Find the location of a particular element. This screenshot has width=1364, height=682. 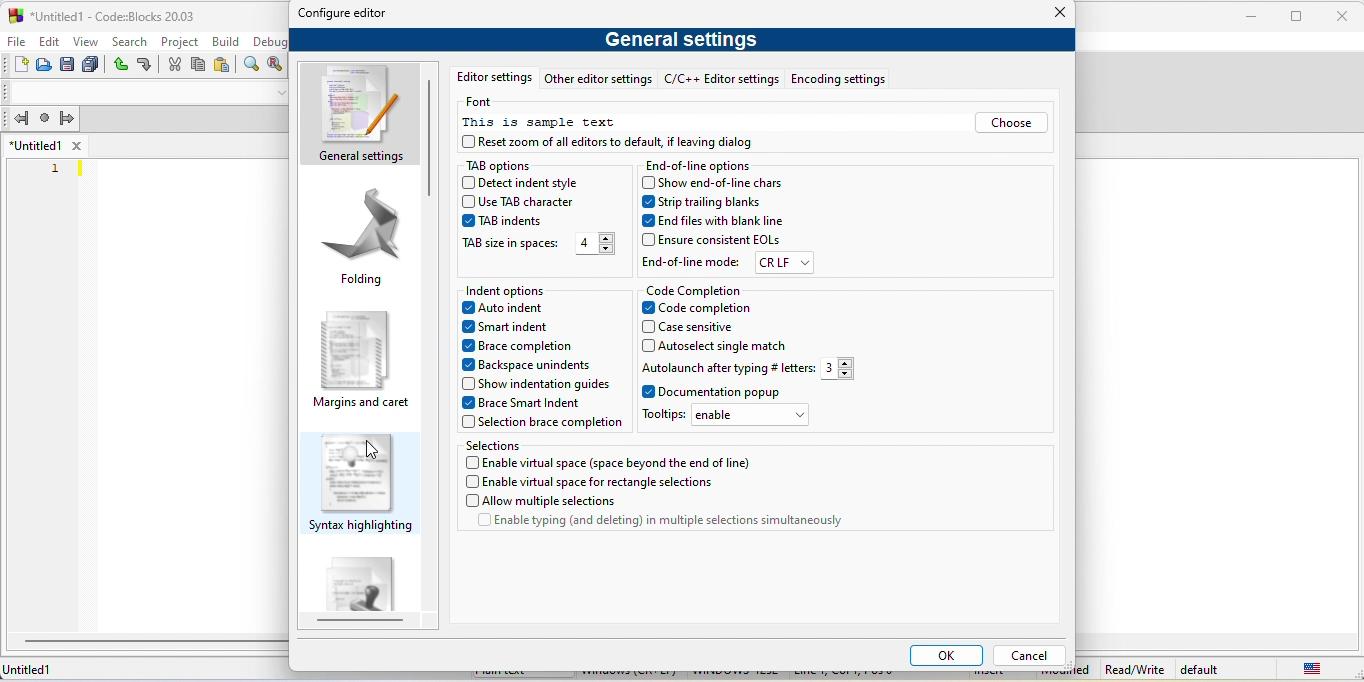

jump forward is located at coordinates (67, 117).